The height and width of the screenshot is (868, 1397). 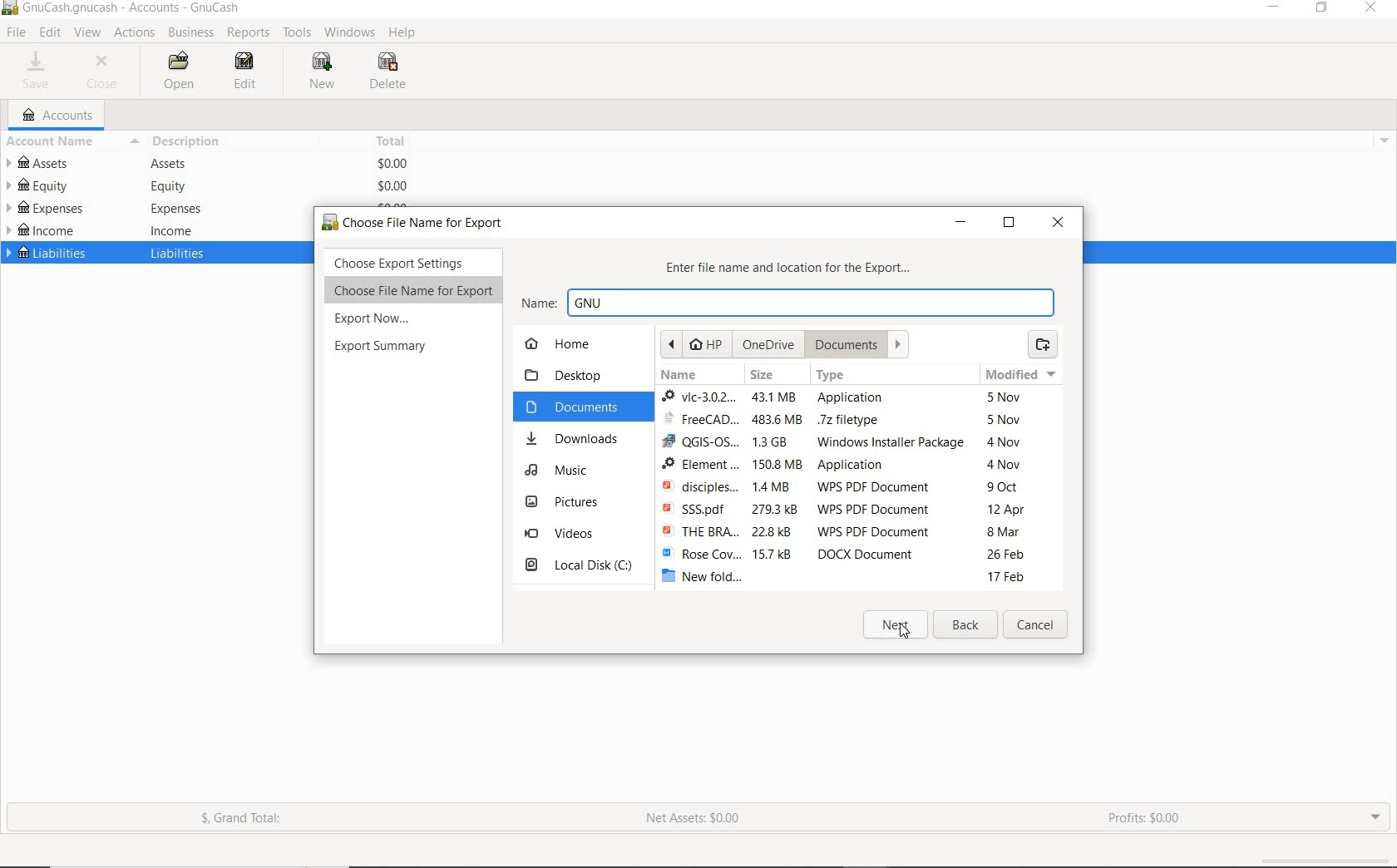 What do you see at coordinates (960, 219) in the screenshot?
I see `minimize` at bounding box center [960, 219].